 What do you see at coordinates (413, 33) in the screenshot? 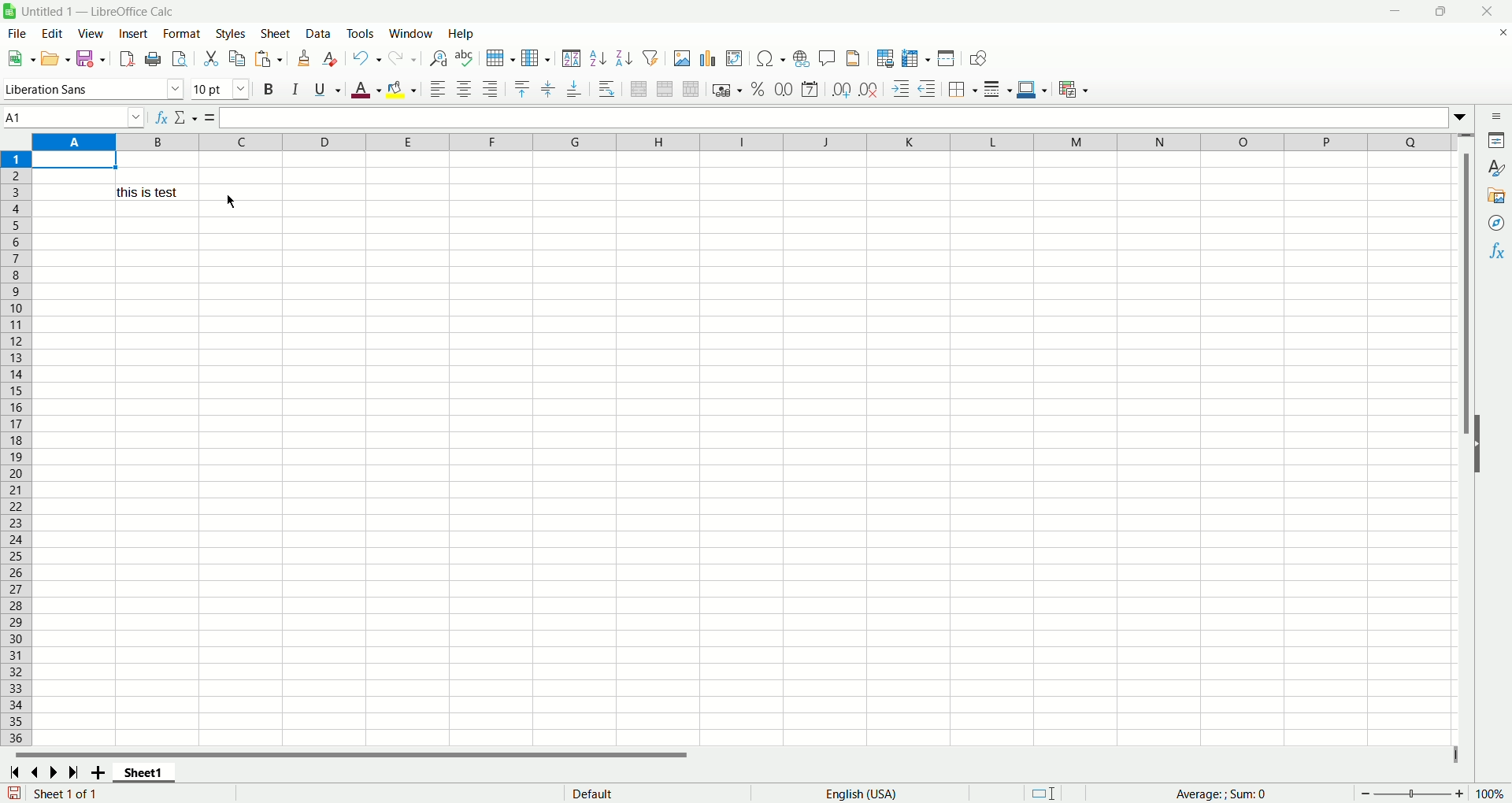
I see `window` at bounding box center [413, 33].